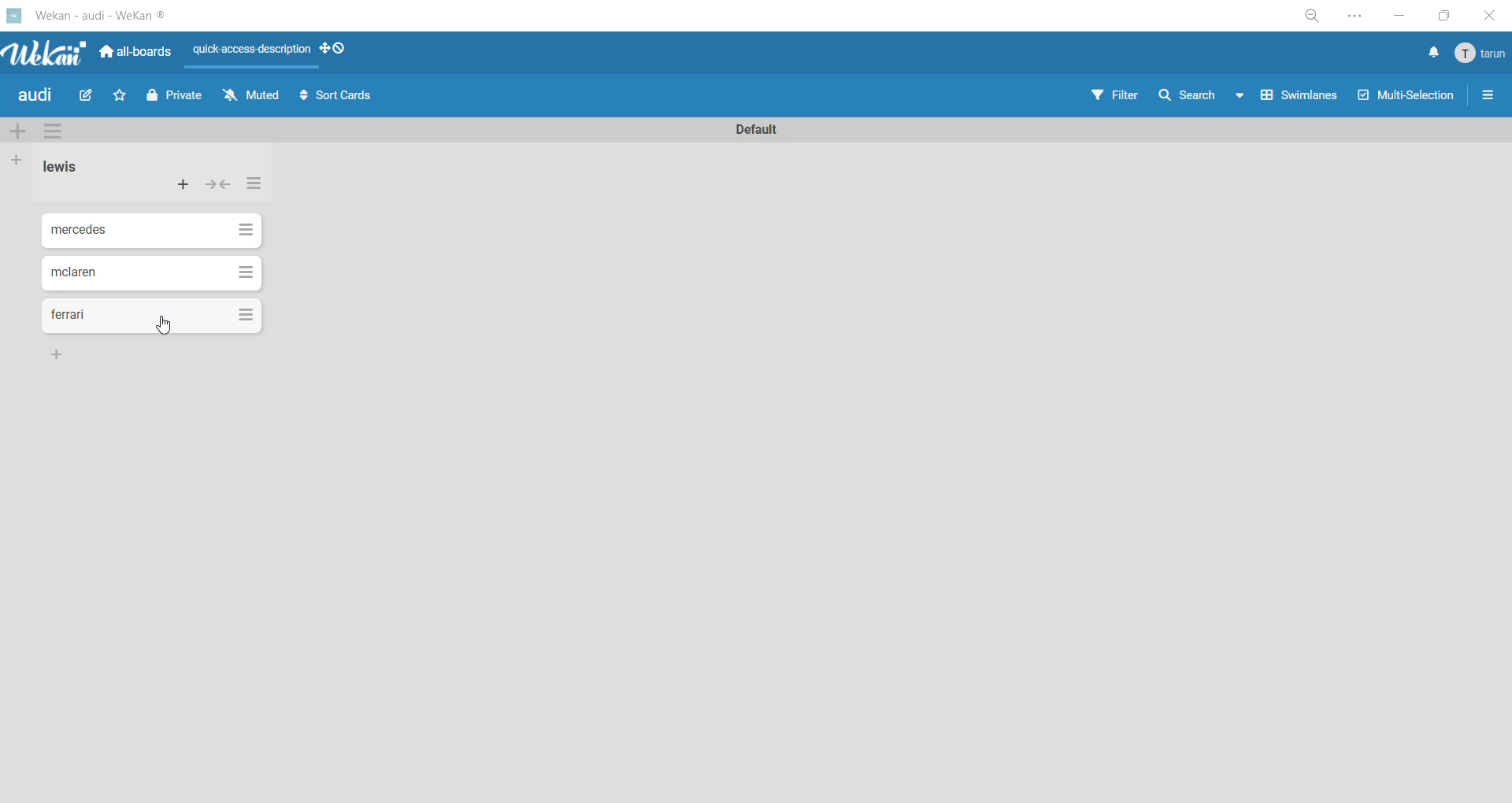 The image size is (1512, 803). I want to click on swimlanes, so click(1295, 101).